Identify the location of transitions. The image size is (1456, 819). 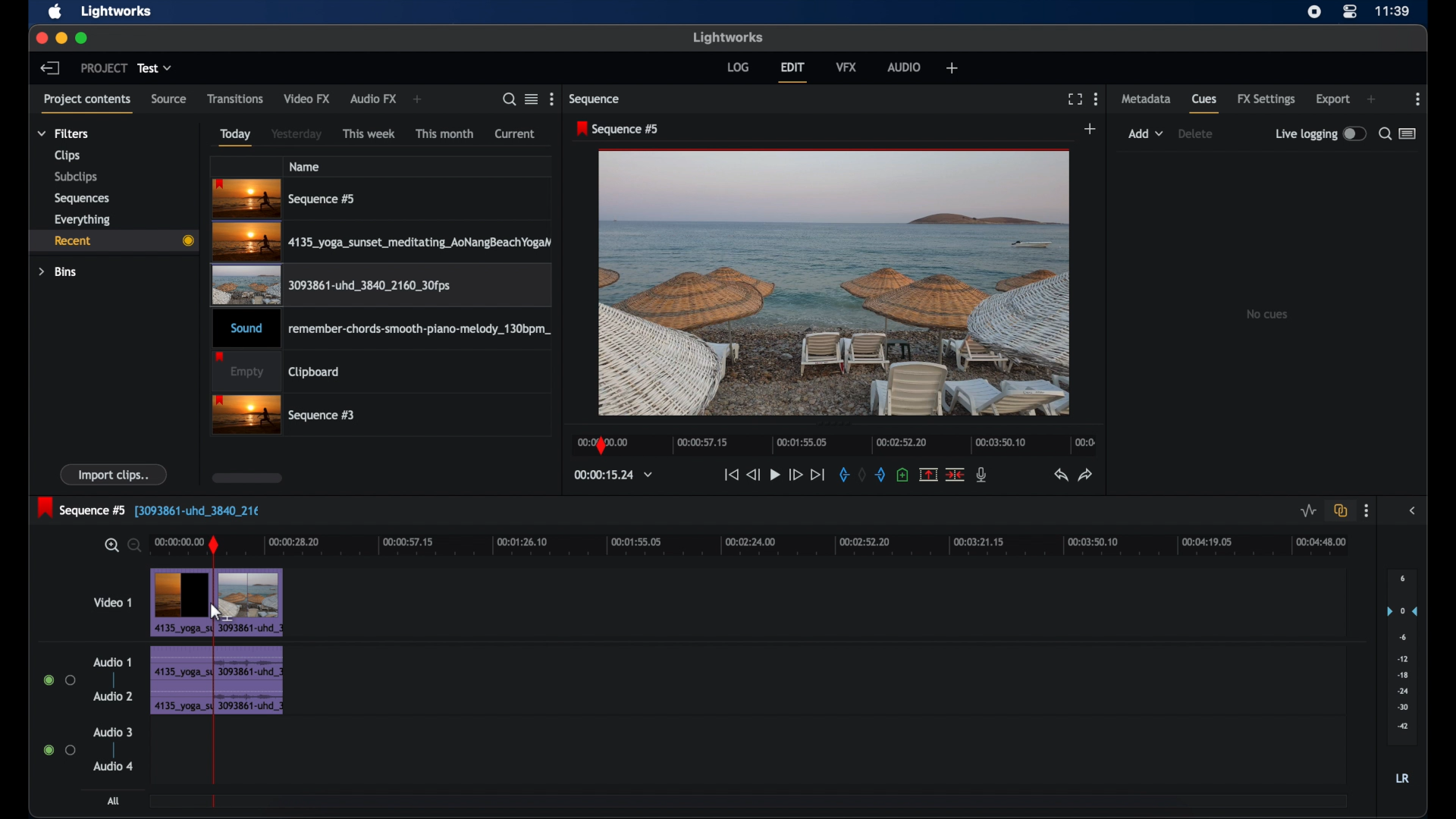
(235, 98).